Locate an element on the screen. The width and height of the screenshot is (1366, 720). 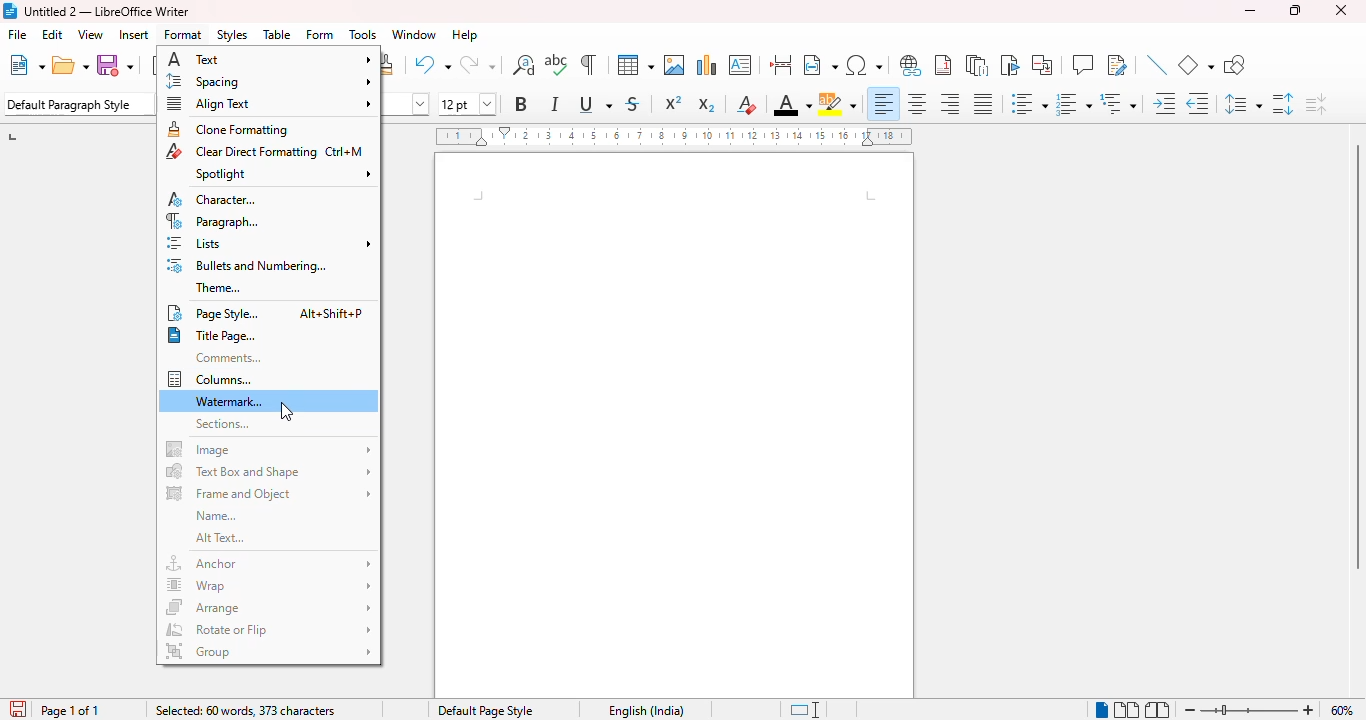
justified is located at coordinates (982, 104).